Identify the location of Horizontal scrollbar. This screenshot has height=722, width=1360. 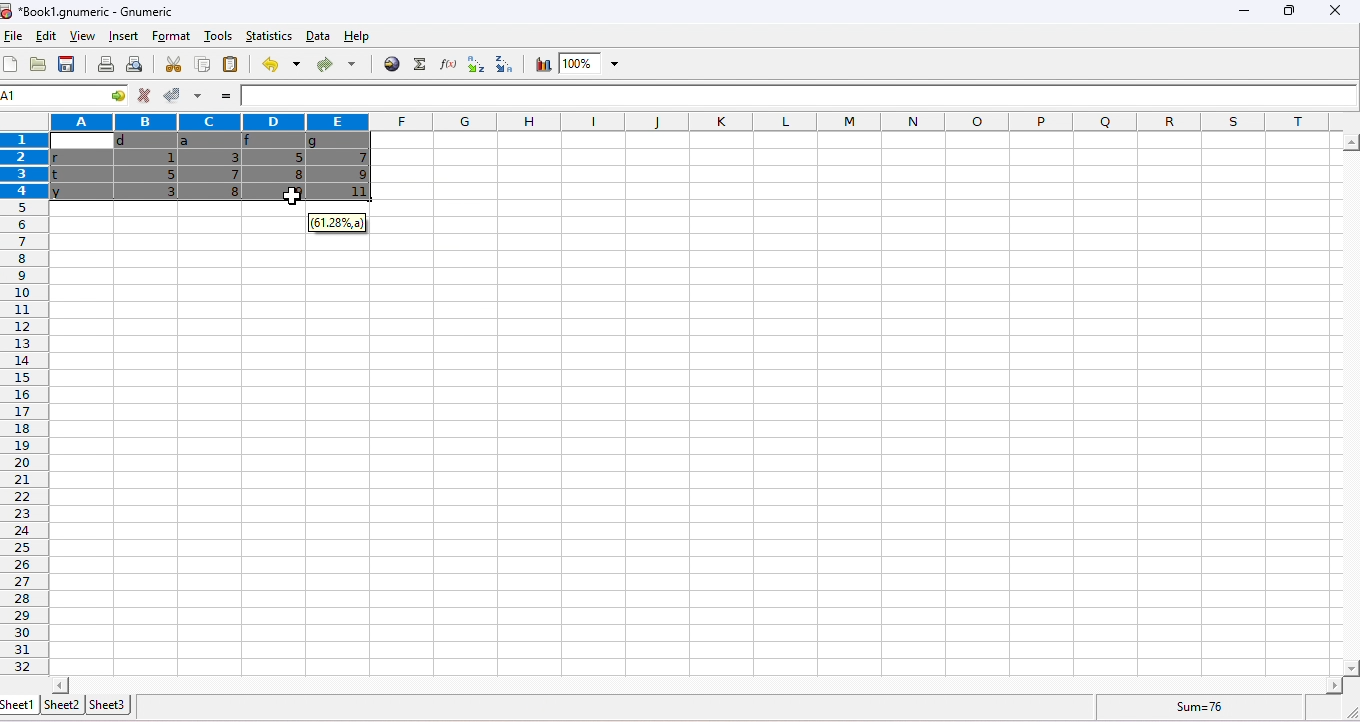
(697, 684).